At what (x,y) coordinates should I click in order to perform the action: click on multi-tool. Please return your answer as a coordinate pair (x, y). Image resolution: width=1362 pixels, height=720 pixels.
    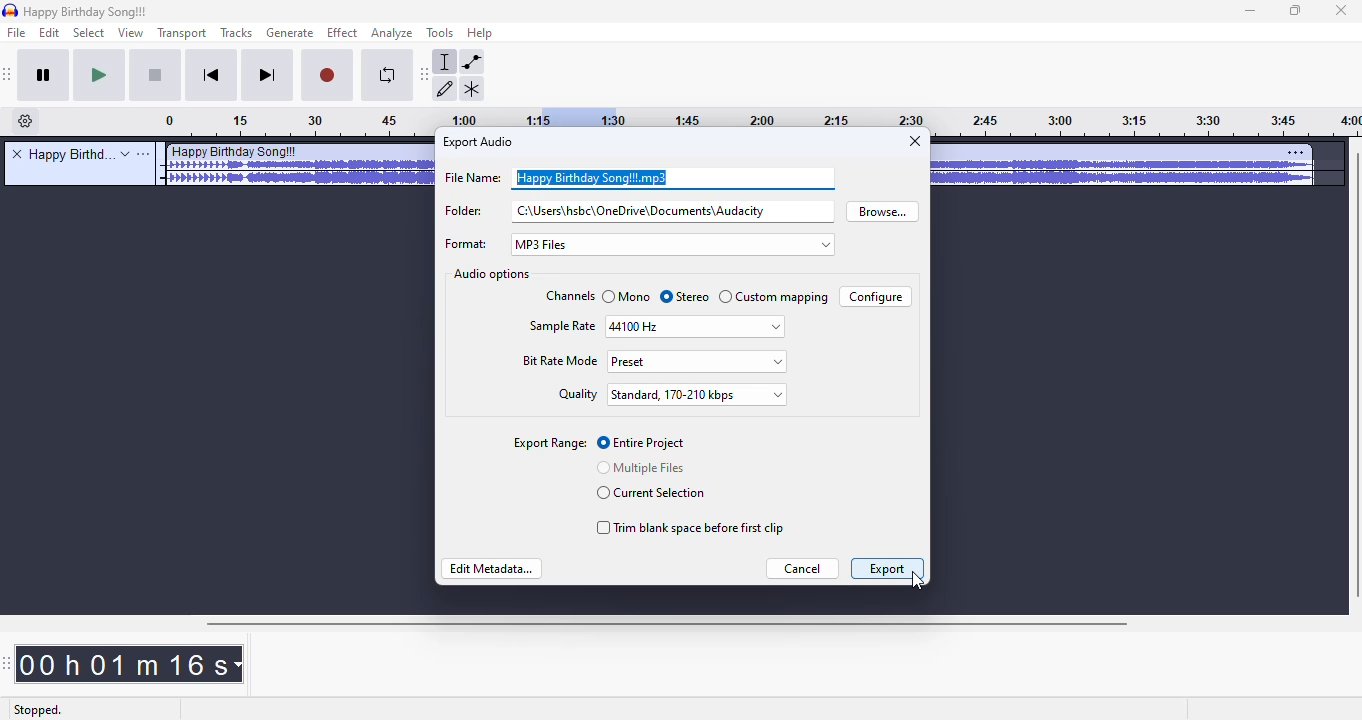
    Looking at the image, I should click on (472, 89).